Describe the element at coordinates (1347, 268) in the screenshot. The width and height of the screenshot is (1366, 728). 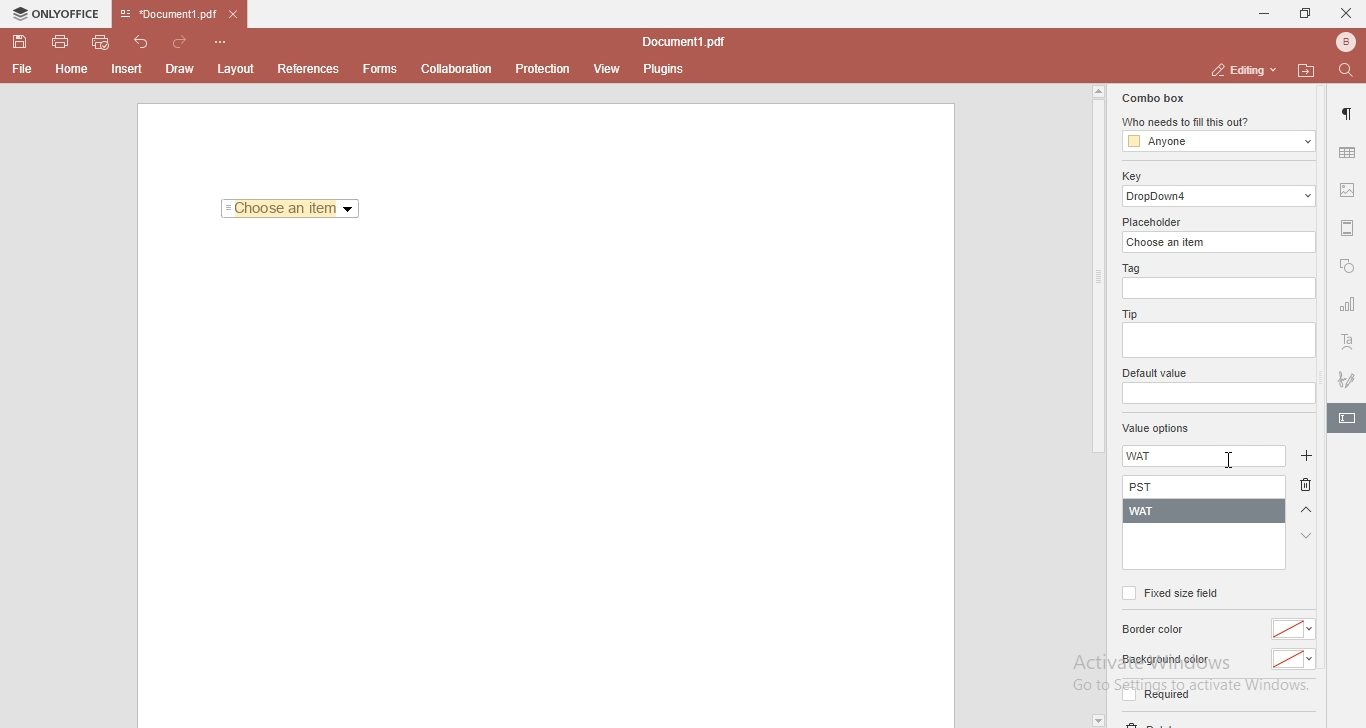
I see `shapes` at that location.